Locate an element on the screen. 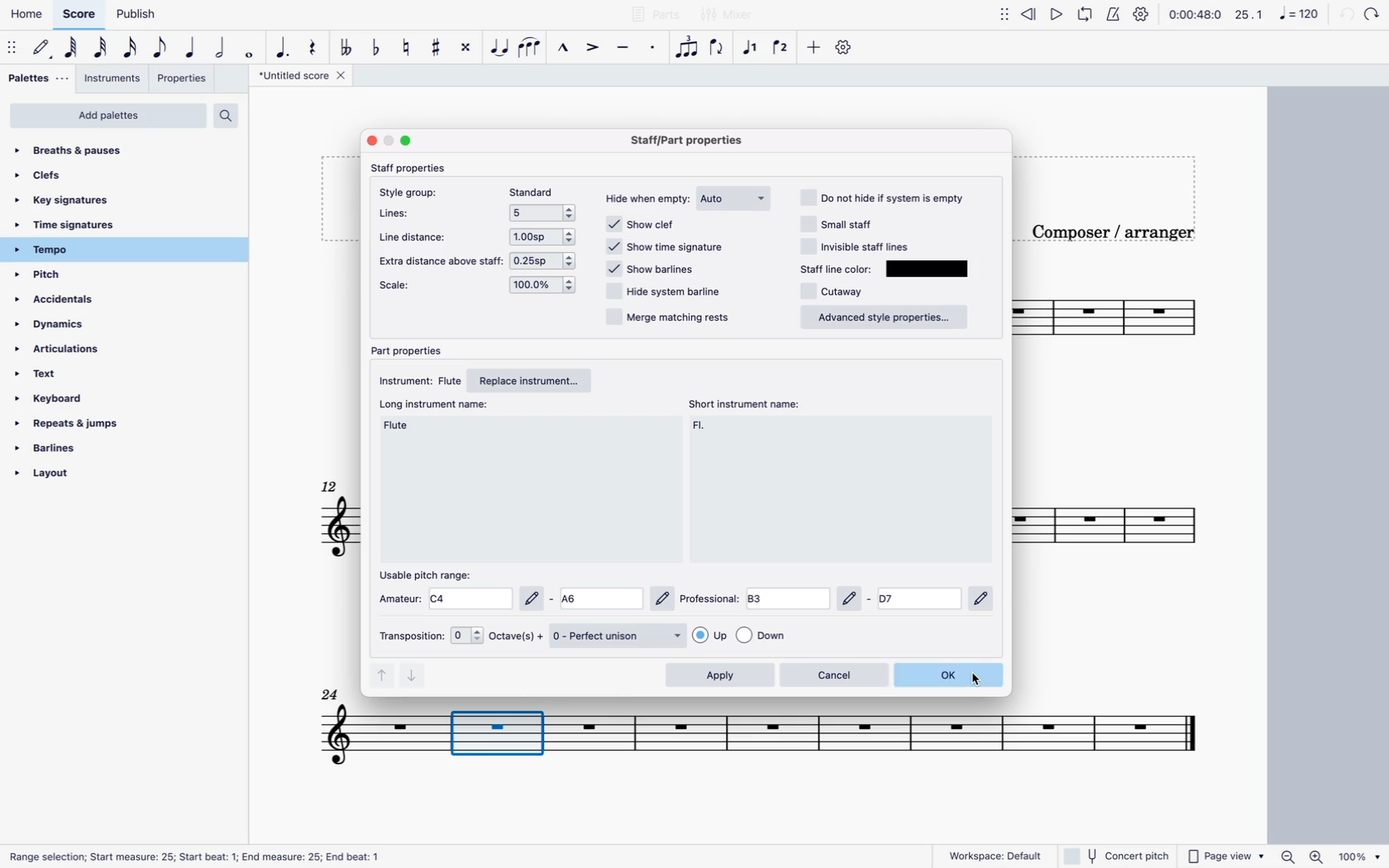 Image resolution: width=1389 pixels, height=868 pixels. toggle natural is located at coordinates (408, 48).